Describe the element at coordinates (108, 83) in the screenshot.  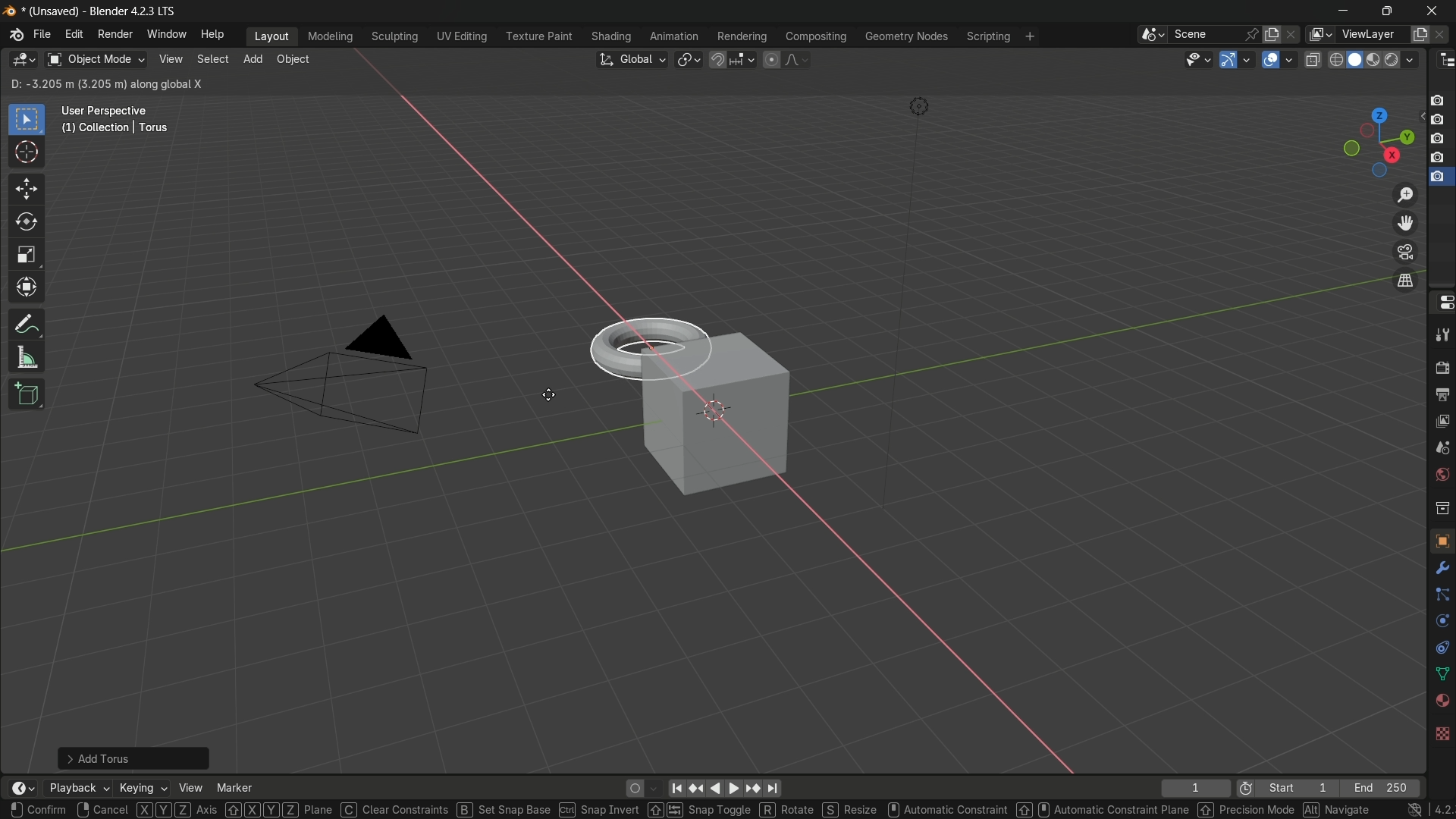
I see `D: -3.205 m (3.205 m) along global X` at that location.